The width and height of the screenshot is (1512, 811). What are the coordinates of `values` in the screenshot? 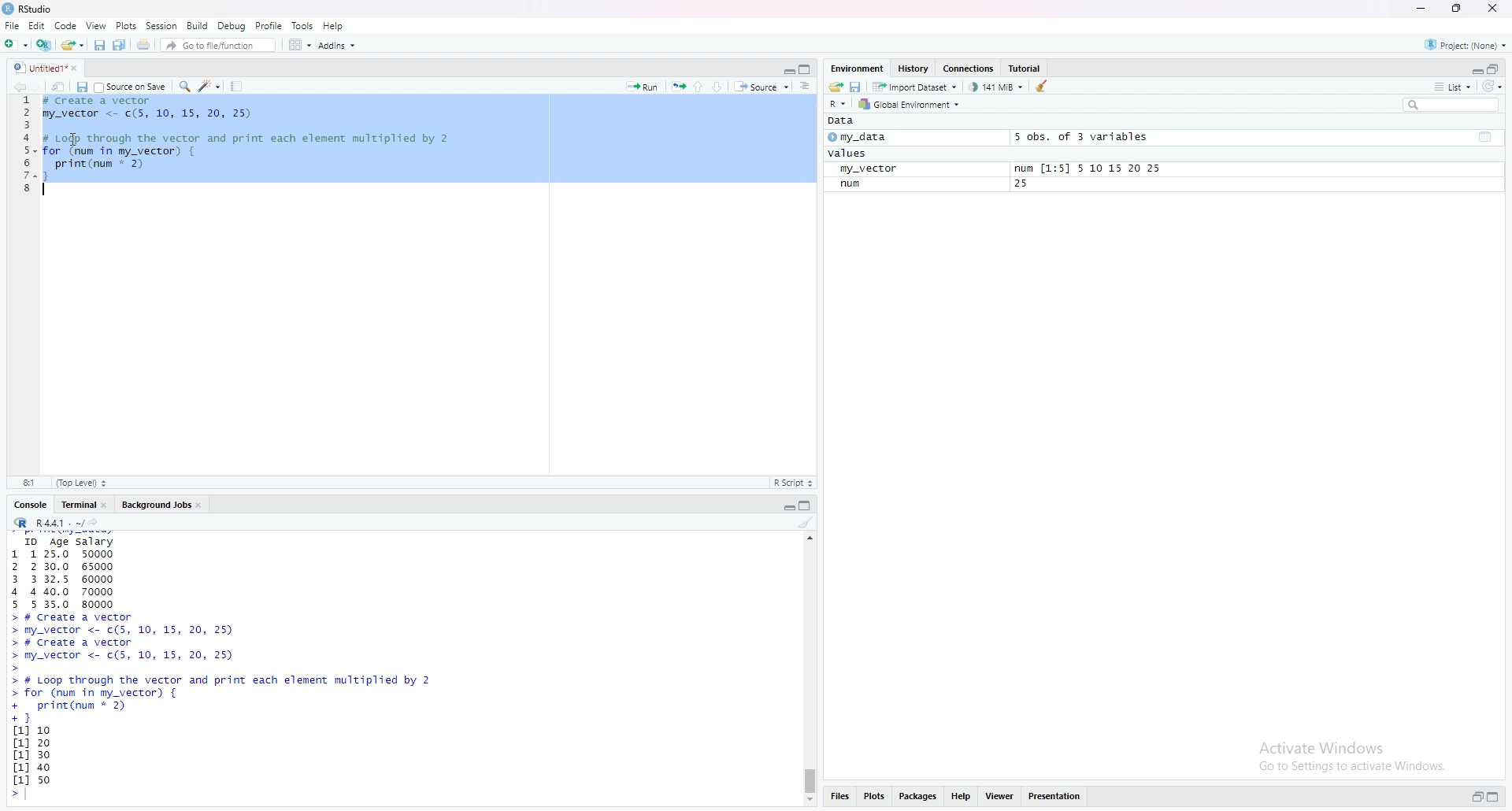 It's located at (850, 154).